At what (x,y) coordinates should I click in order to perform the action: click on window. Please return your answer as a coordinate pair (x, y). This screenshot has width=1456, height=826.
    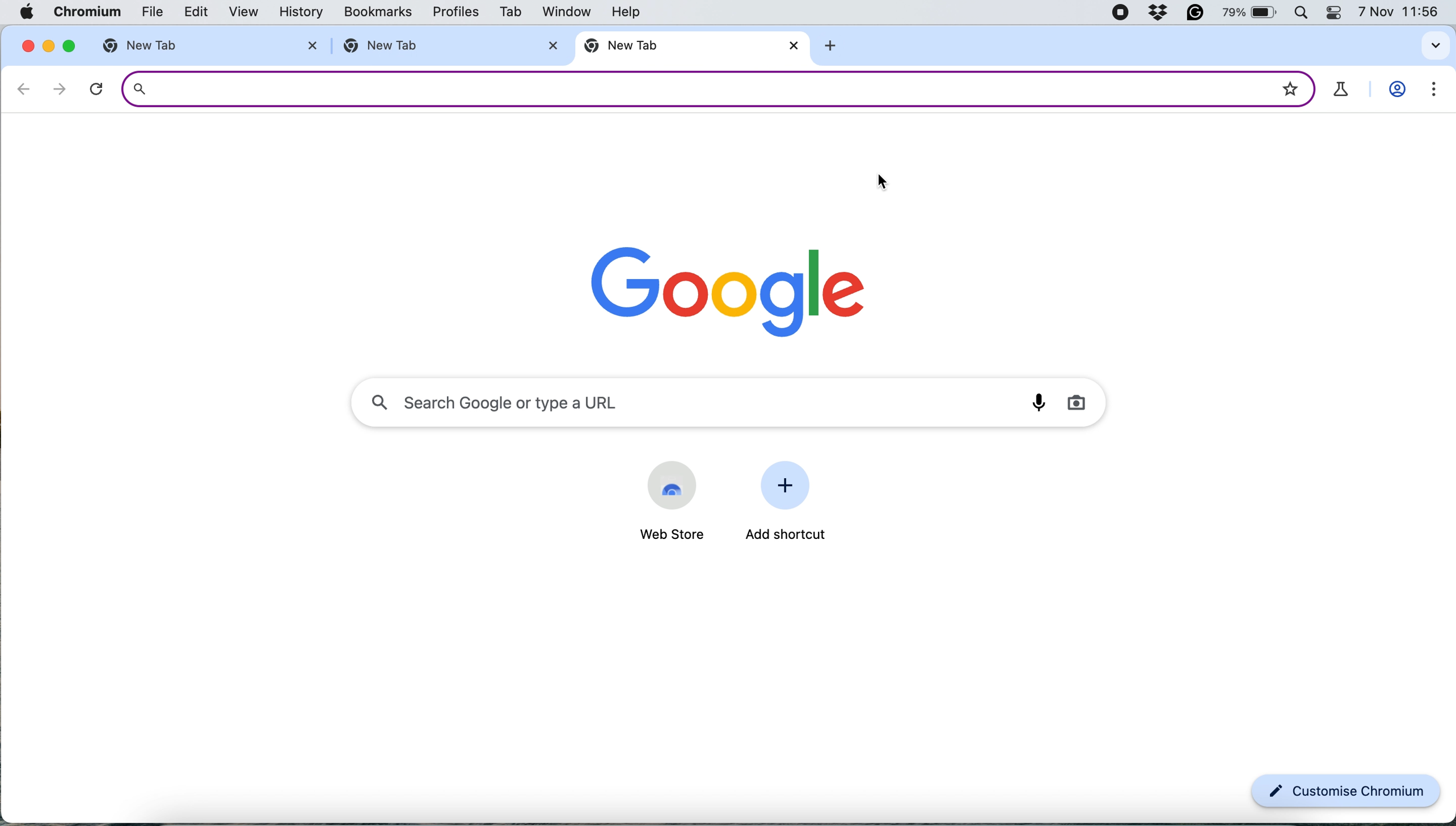
    Looking at the image, I should click on (565, 11).